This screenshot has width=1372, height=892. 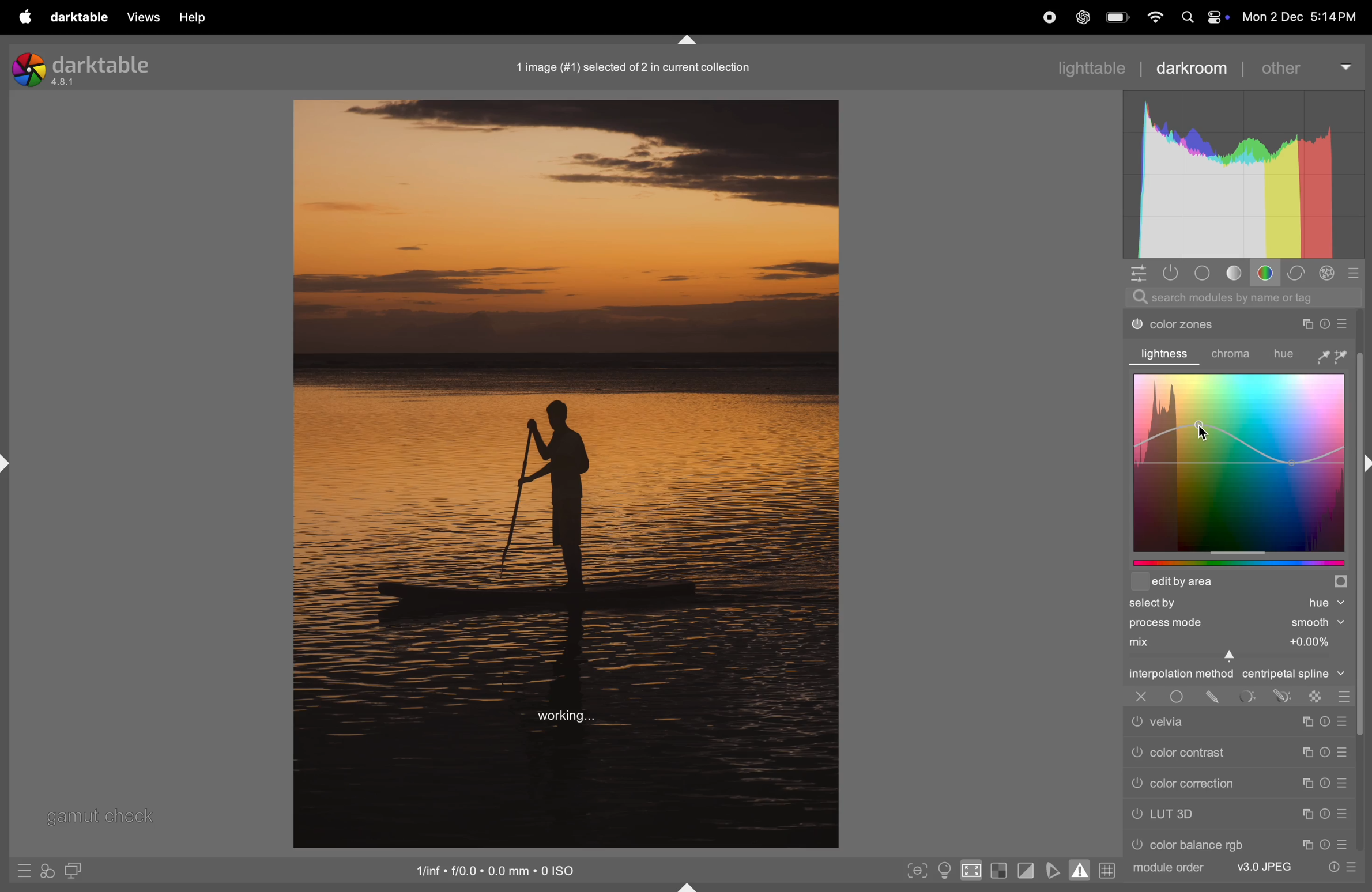 What do you see at coordinates (88, 71) in the screenshot?
I see `darktable` at bounding box center [88, 71].